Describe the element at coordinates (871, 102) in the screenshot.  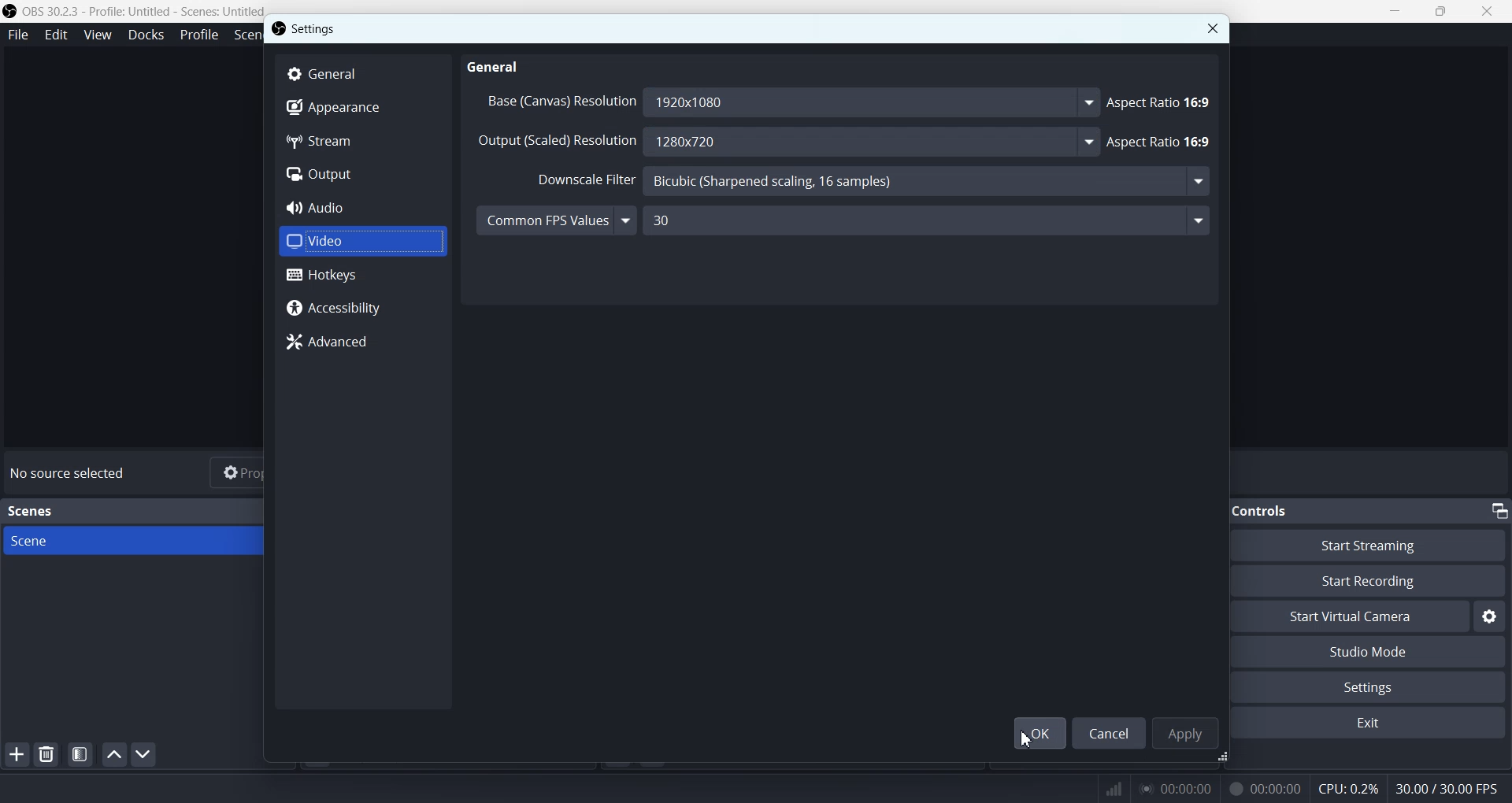
I see `1920x1080` at that location.